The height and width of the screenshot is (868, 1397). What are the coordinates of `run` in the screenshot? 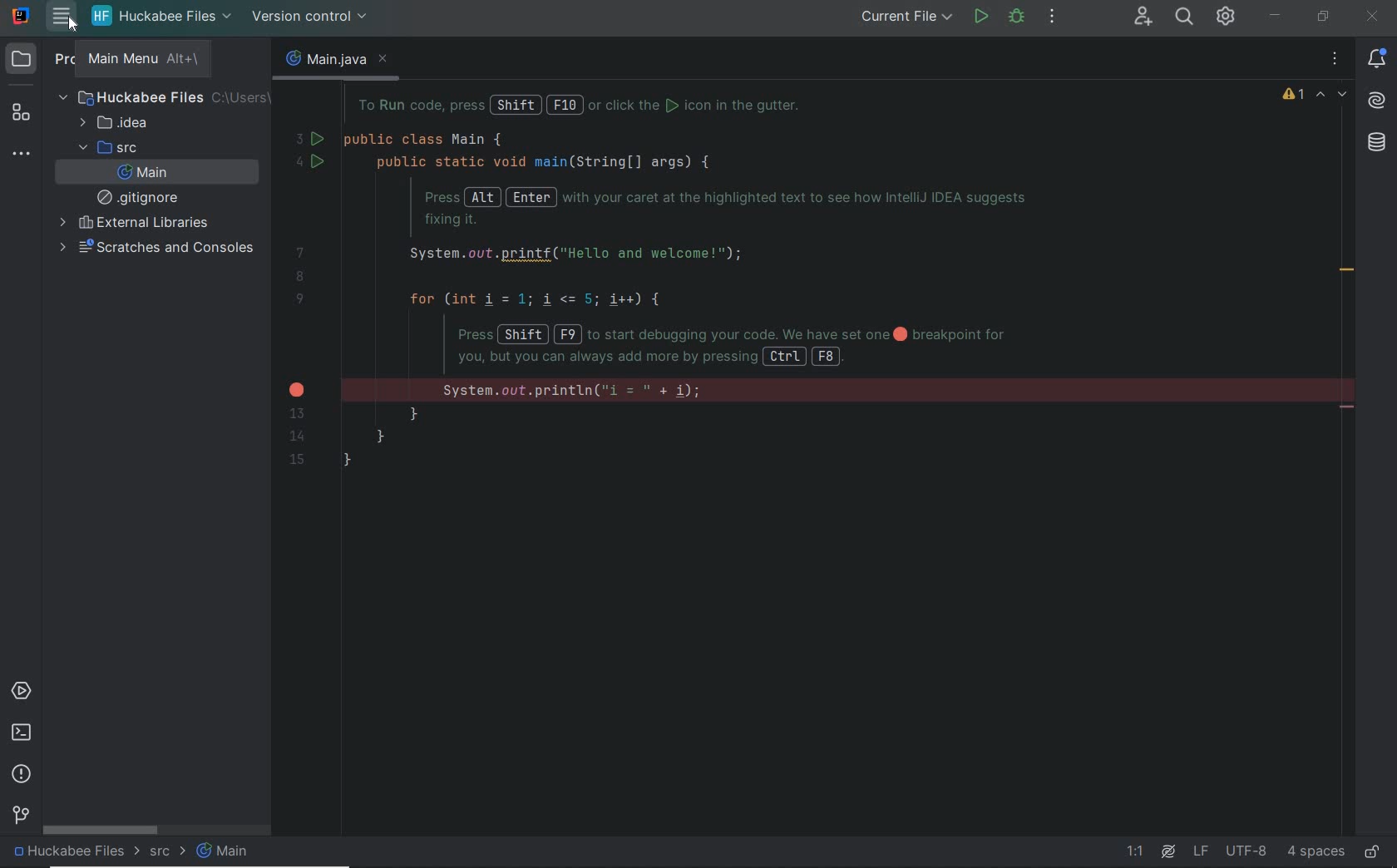 It's located at (981, 17).